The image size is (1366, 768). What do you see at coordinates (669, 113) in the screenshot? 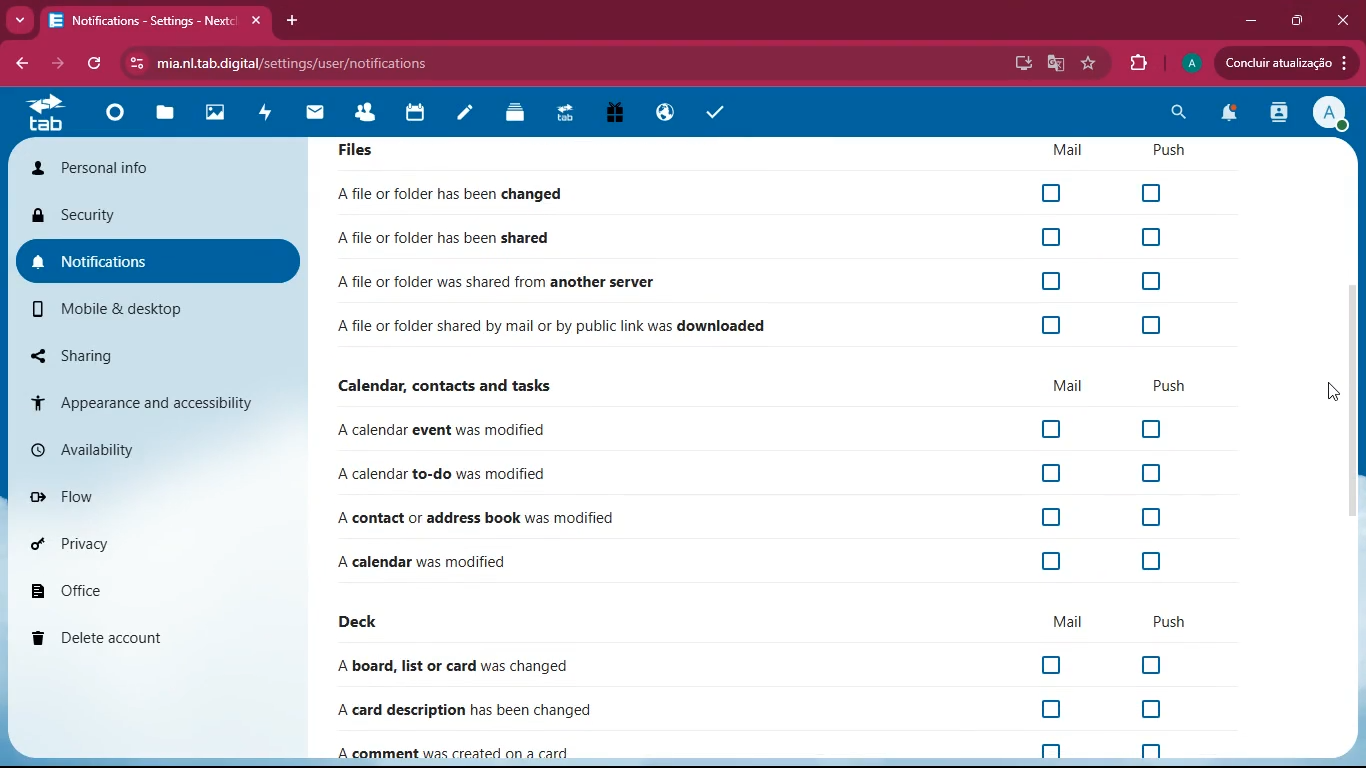
I see `public` at bounding box center [669, 113].